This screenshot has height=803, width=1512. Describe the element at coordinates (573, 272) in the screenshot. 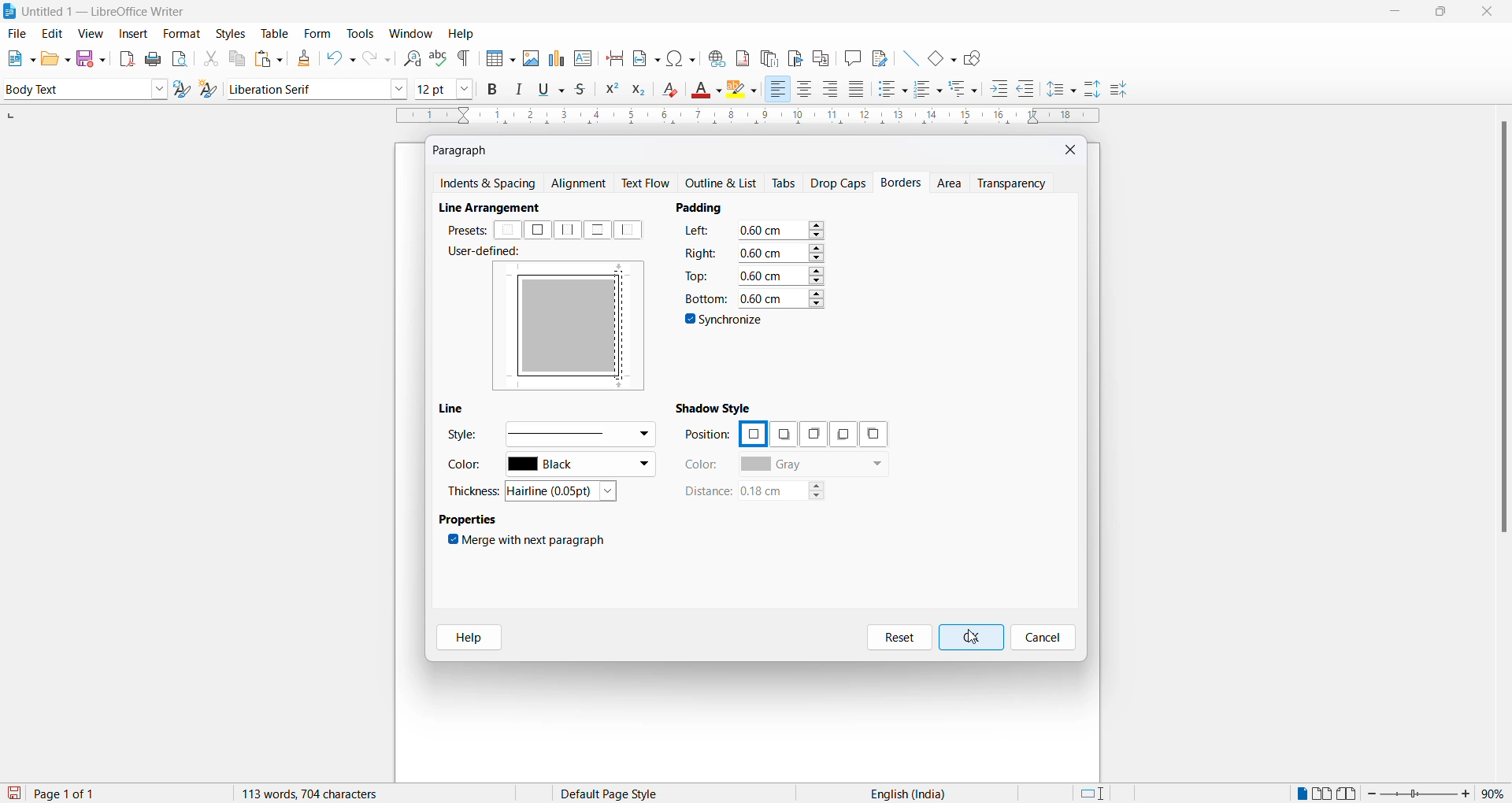

I see `border` at that location.